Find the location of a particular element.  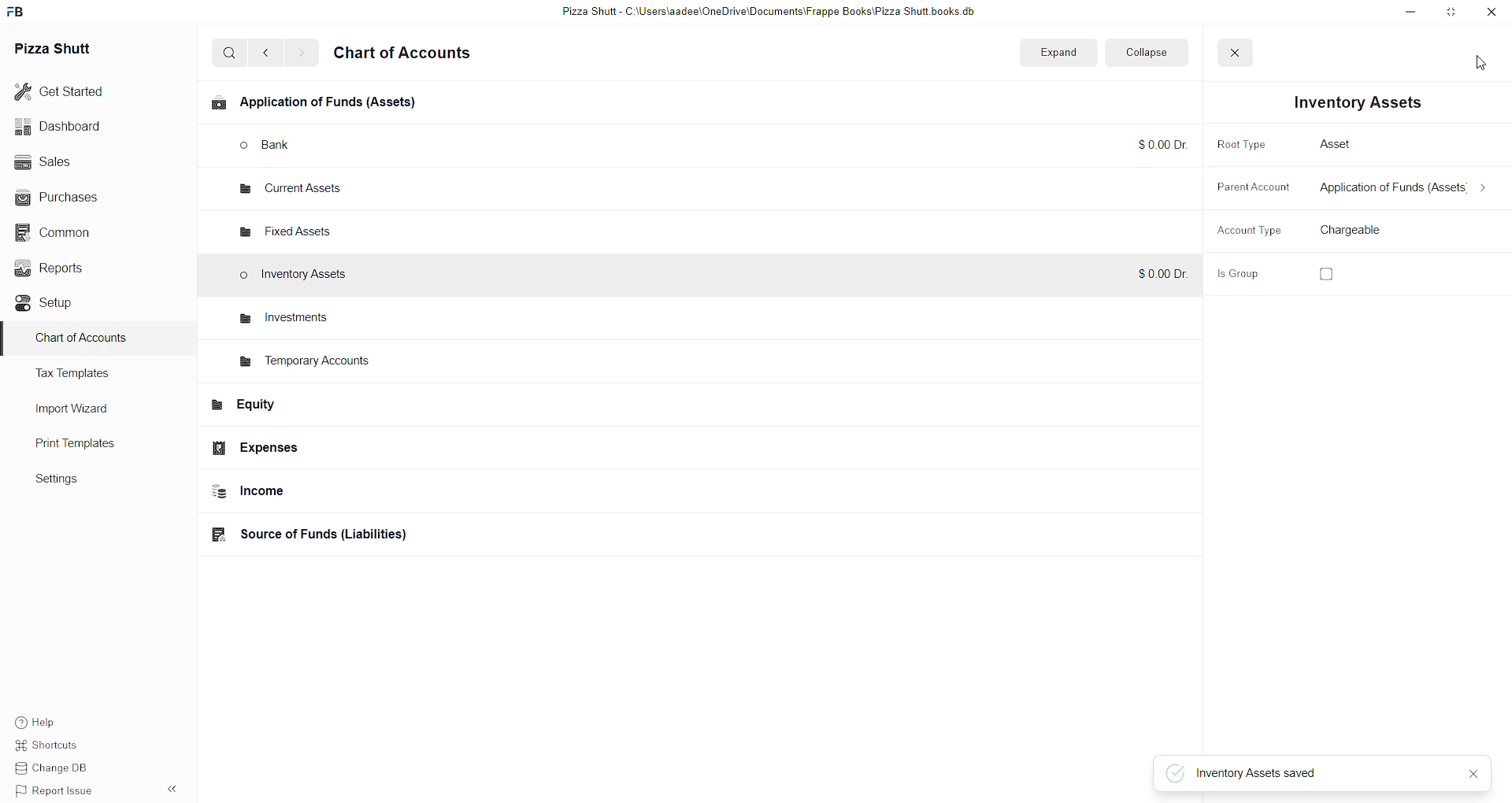

$0.00 Dr. is located at coordinates (1154, 274).